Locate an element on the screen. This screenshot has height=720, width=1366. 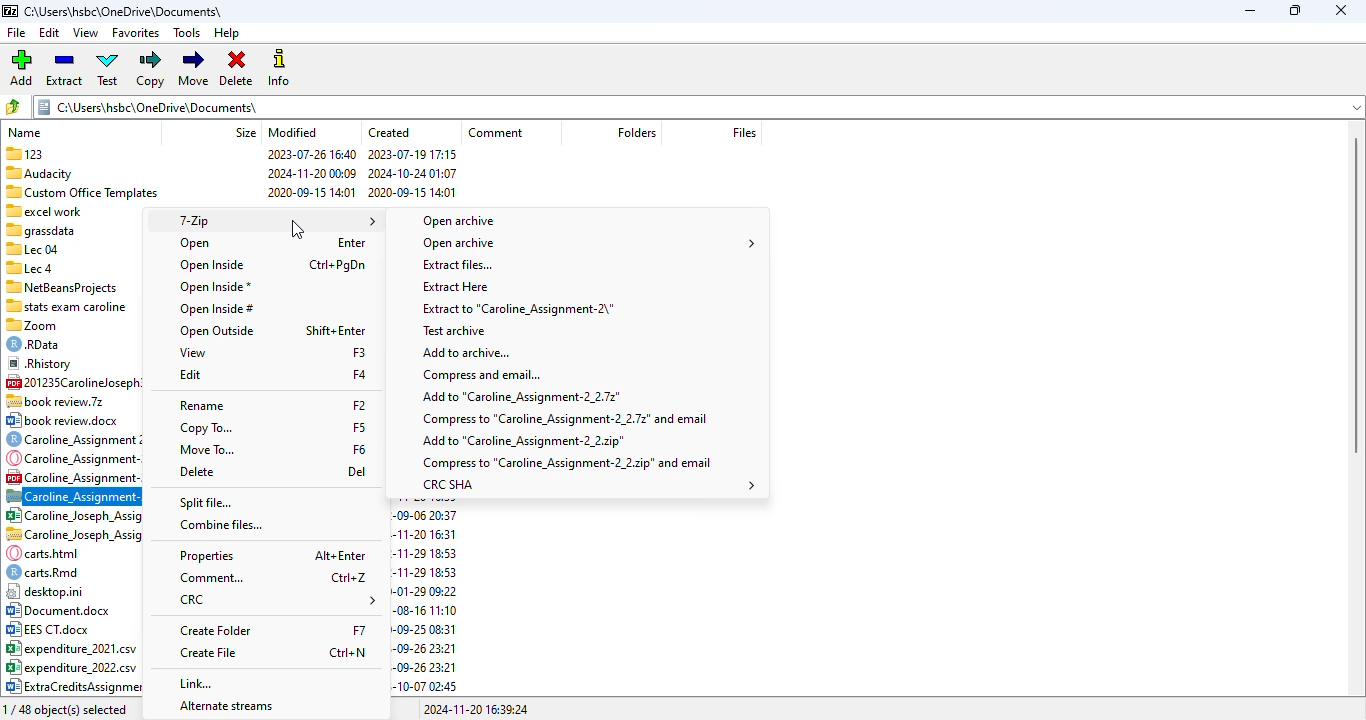
cursor is located at coordinates (298, 230).